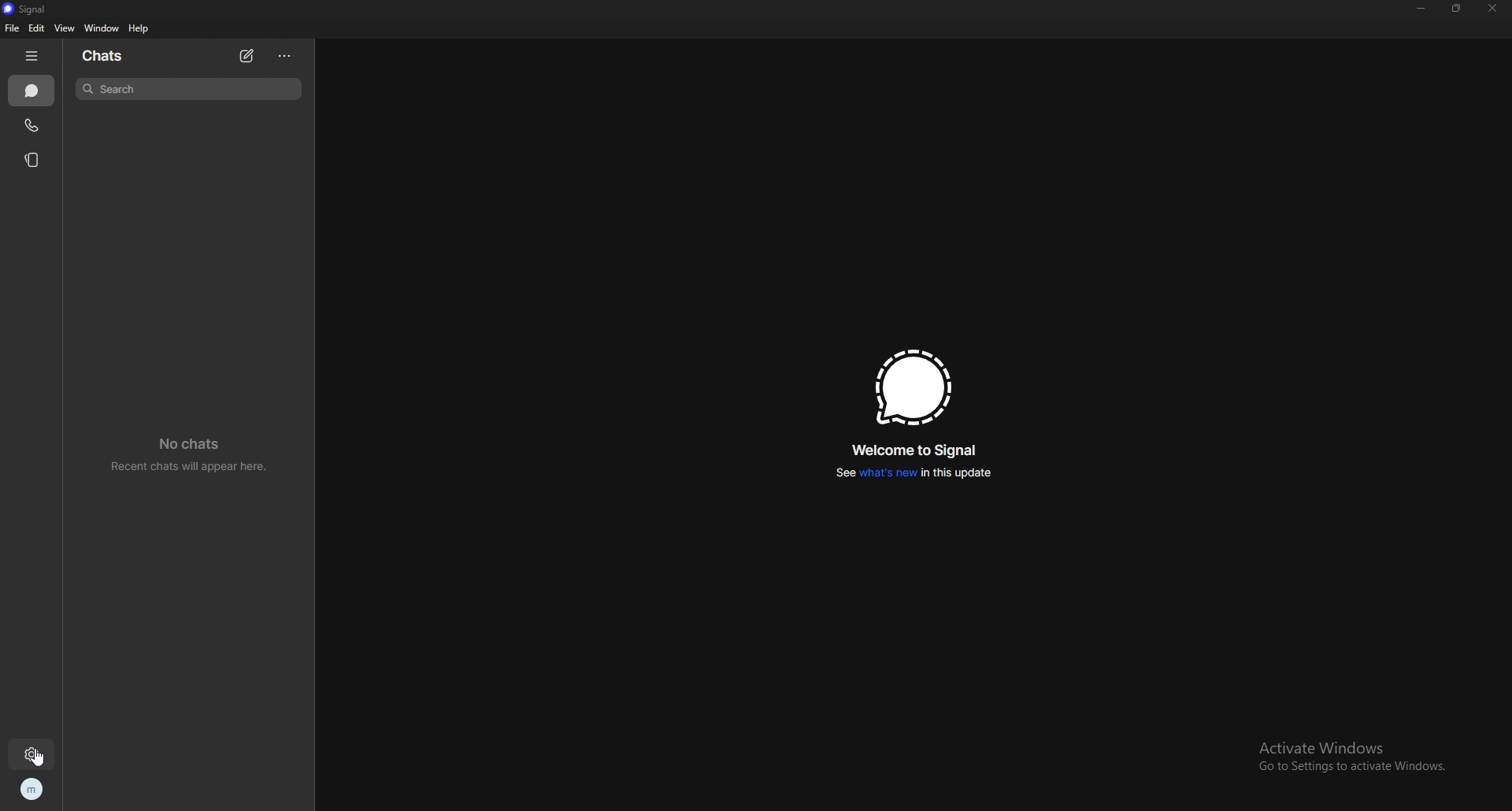 The height and width of the screenshot is (811, 1512). What do you see at coordinates (13, 28) in the screenshot?
I see `file` at bounding box center [13, 28].